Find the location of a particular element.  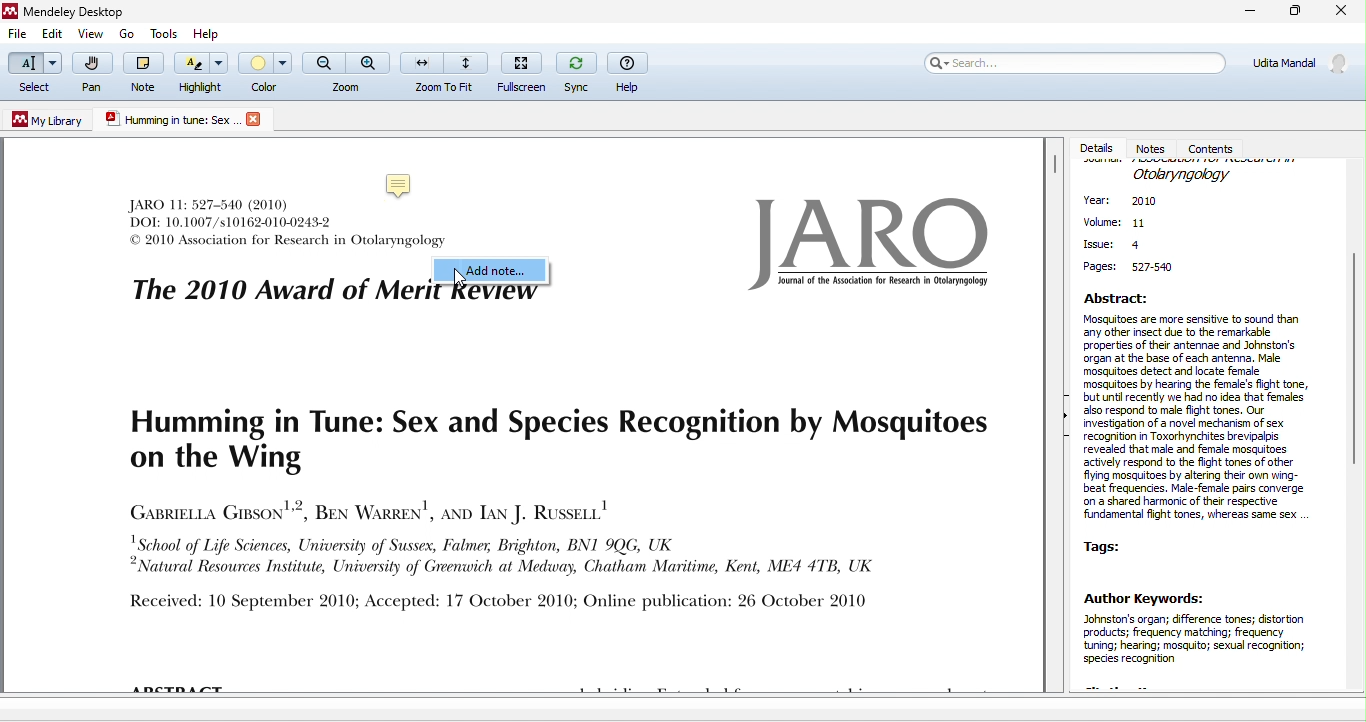

sync is located at coordinates (574, 71).